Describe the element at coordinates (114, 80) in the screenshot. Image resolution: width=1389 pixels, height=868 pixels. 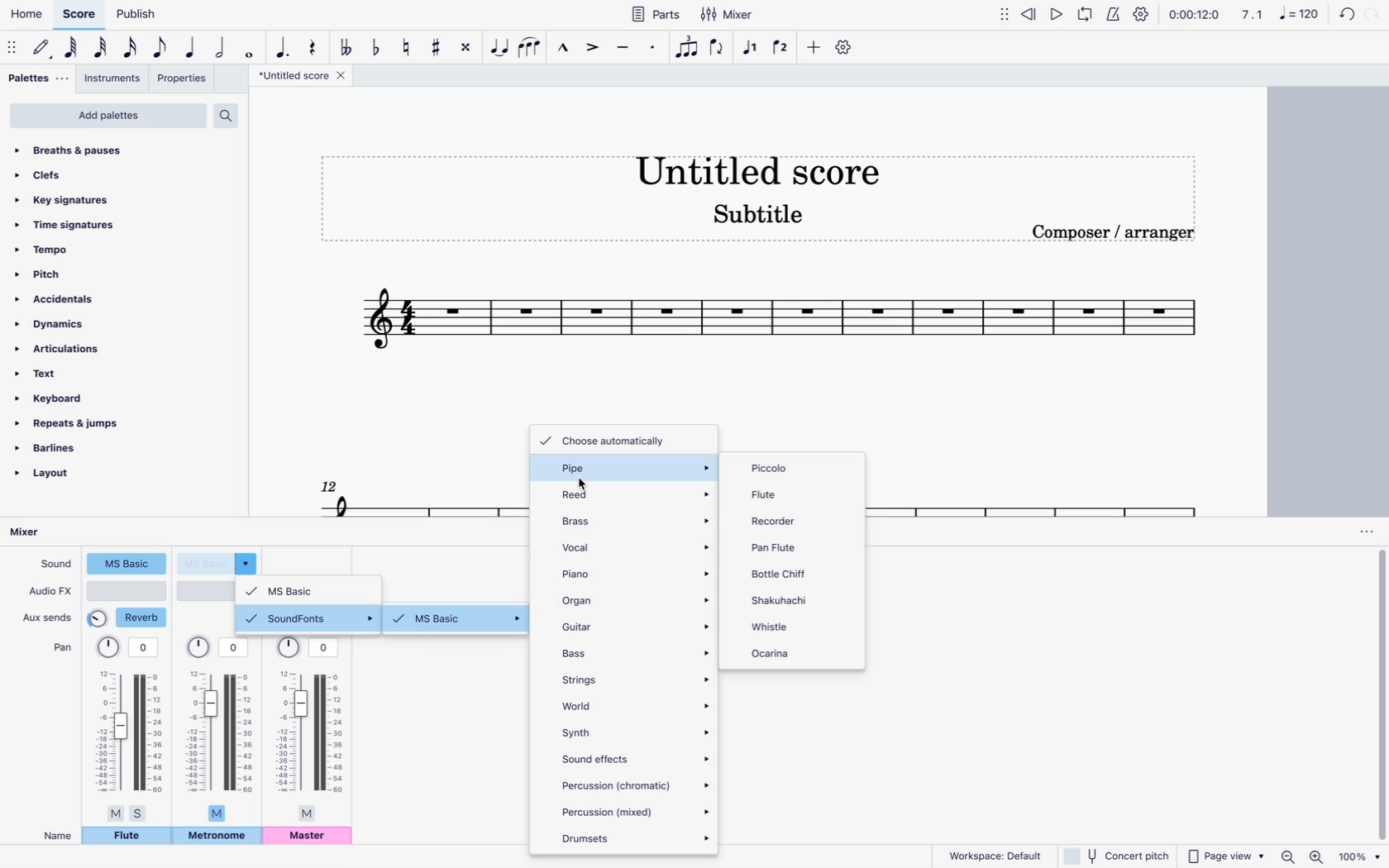
I see `instruments` at that location.